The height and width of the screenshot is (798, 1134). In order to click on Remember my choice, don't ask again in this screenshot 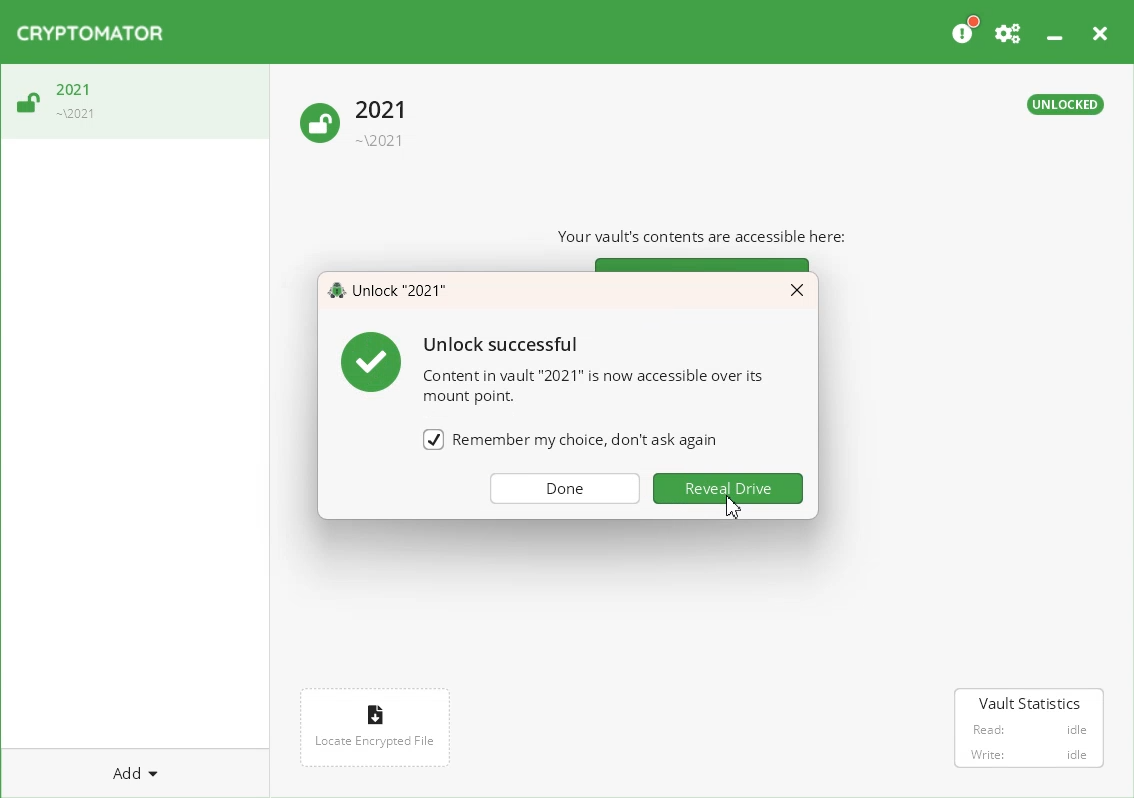, I will do `click(588, 438)`.